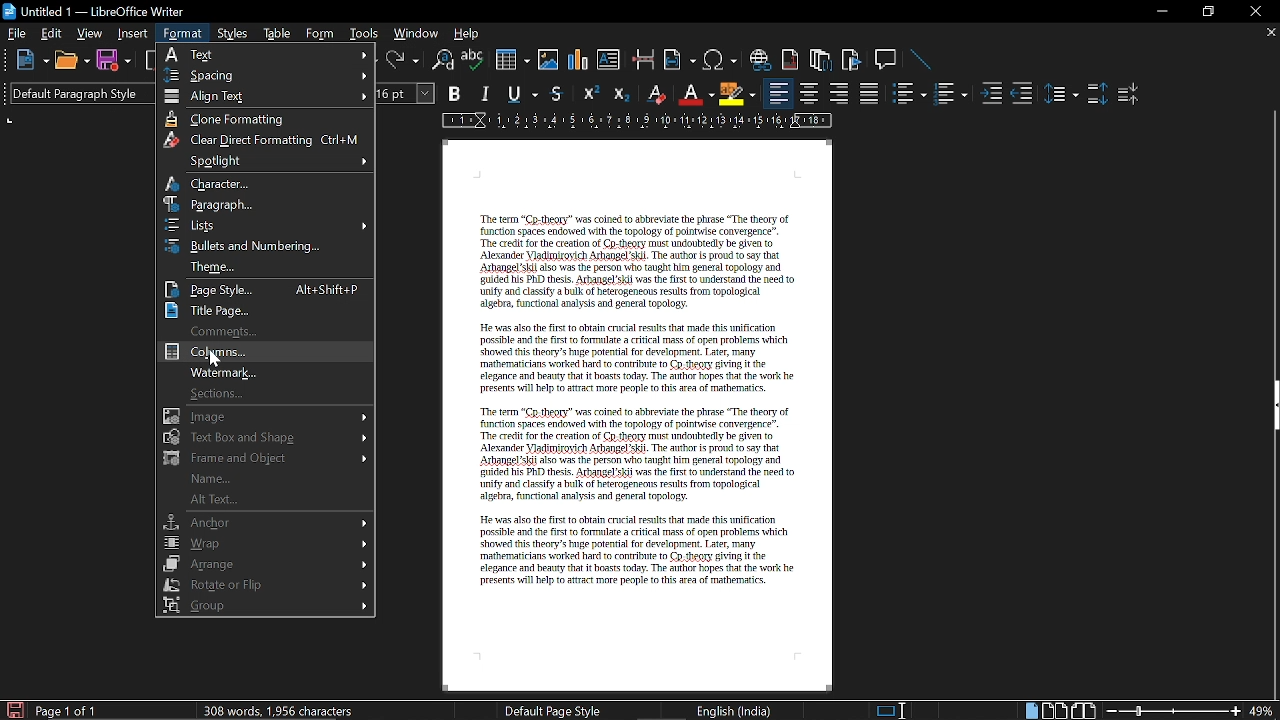 The height and width of the screenshot is (720, 1280). I want to click on Form, so click(322, 31).